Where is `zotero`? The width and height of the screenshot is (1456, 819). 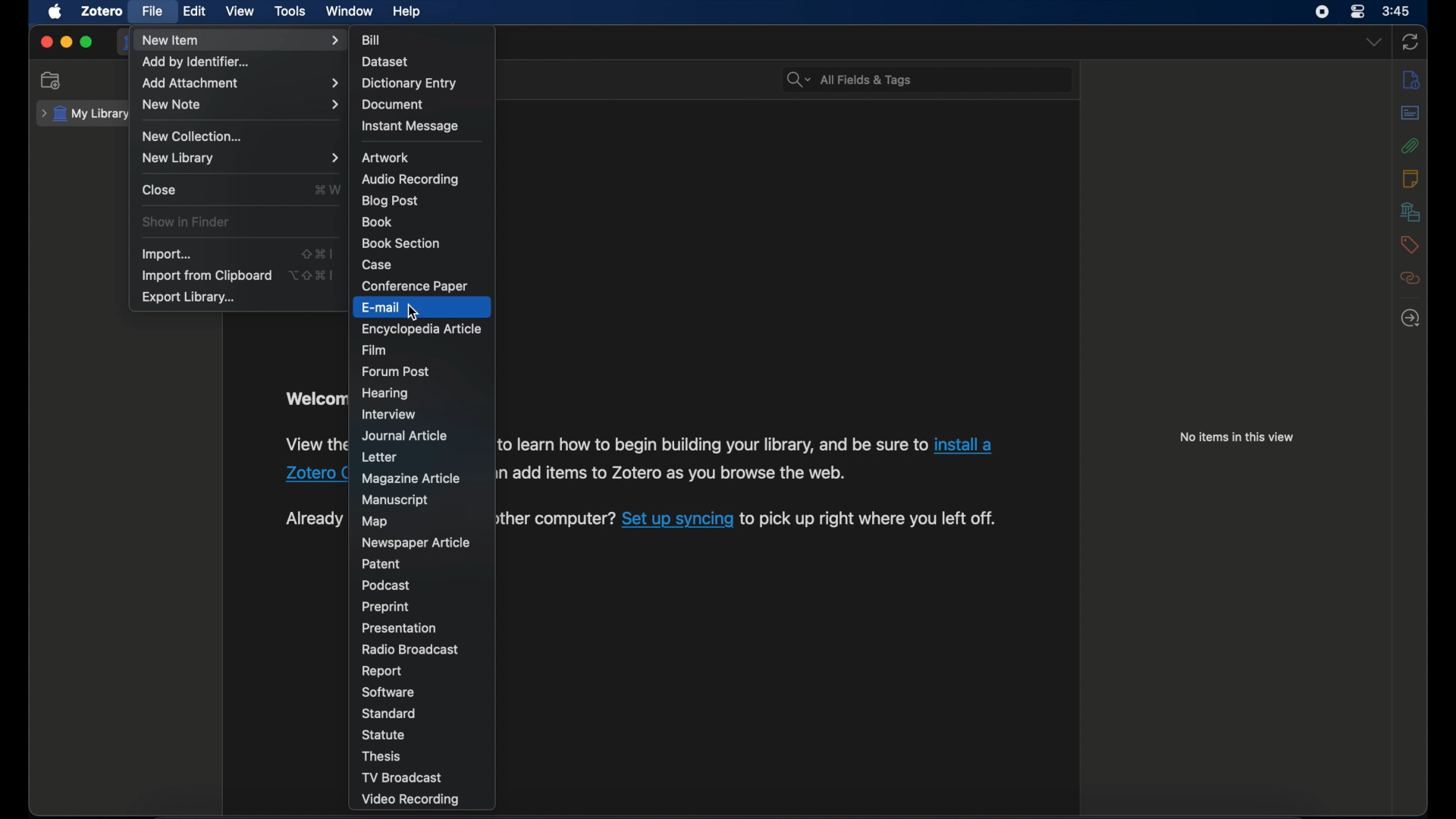
zotero is located at coordinates (100, 11).